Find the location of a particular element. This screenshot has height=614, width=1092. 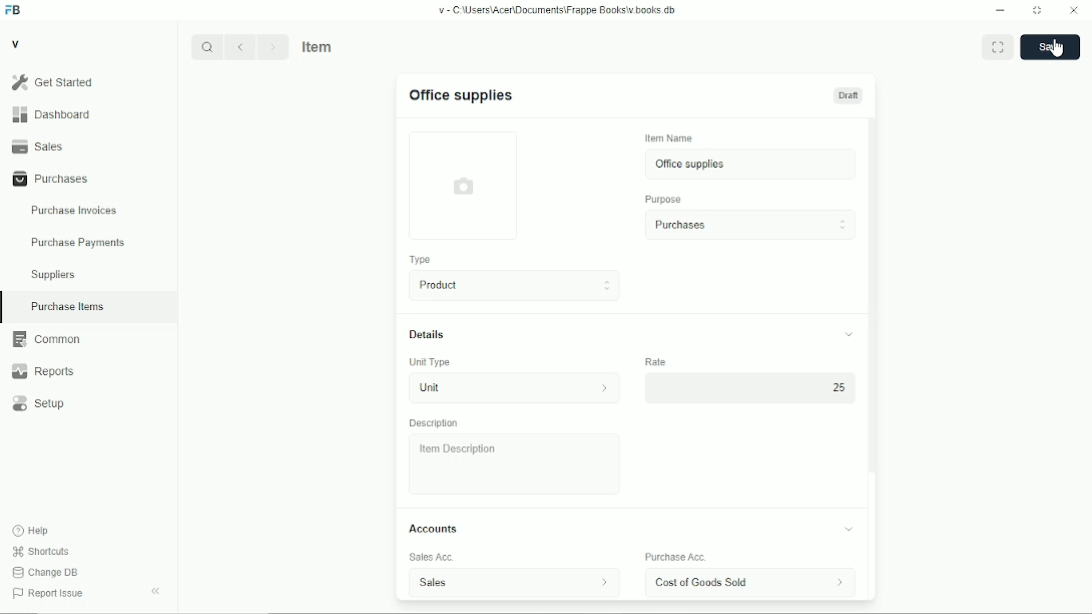

suppliers is located at coordinates (53, 275).